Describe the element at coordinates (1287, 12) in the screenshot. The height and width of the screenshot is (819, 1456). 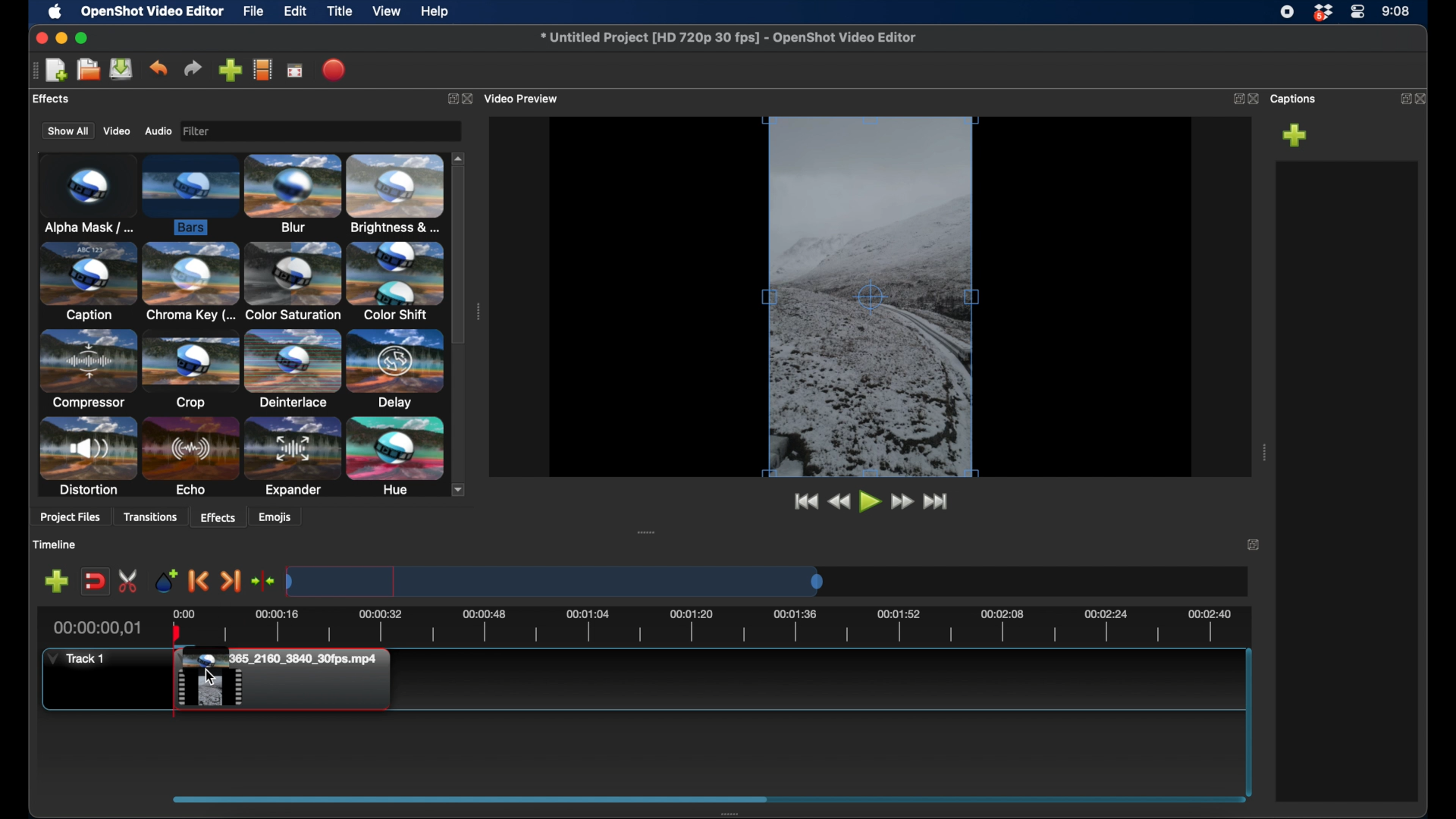
I see `screen recorder icon` at that location.